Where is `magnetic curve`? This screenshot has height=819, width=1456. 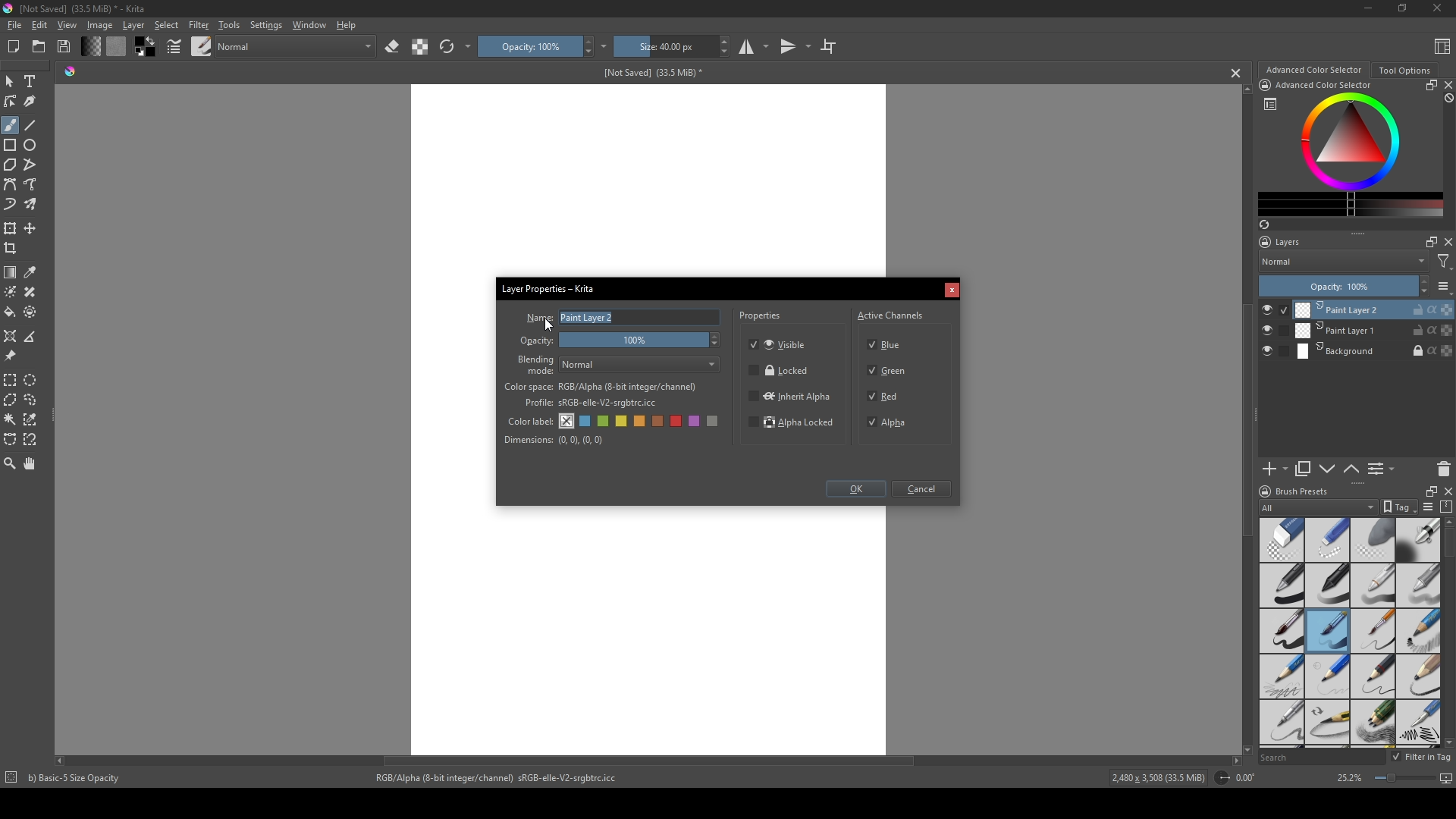
magnetic curve is located at coordinates (32, 441).